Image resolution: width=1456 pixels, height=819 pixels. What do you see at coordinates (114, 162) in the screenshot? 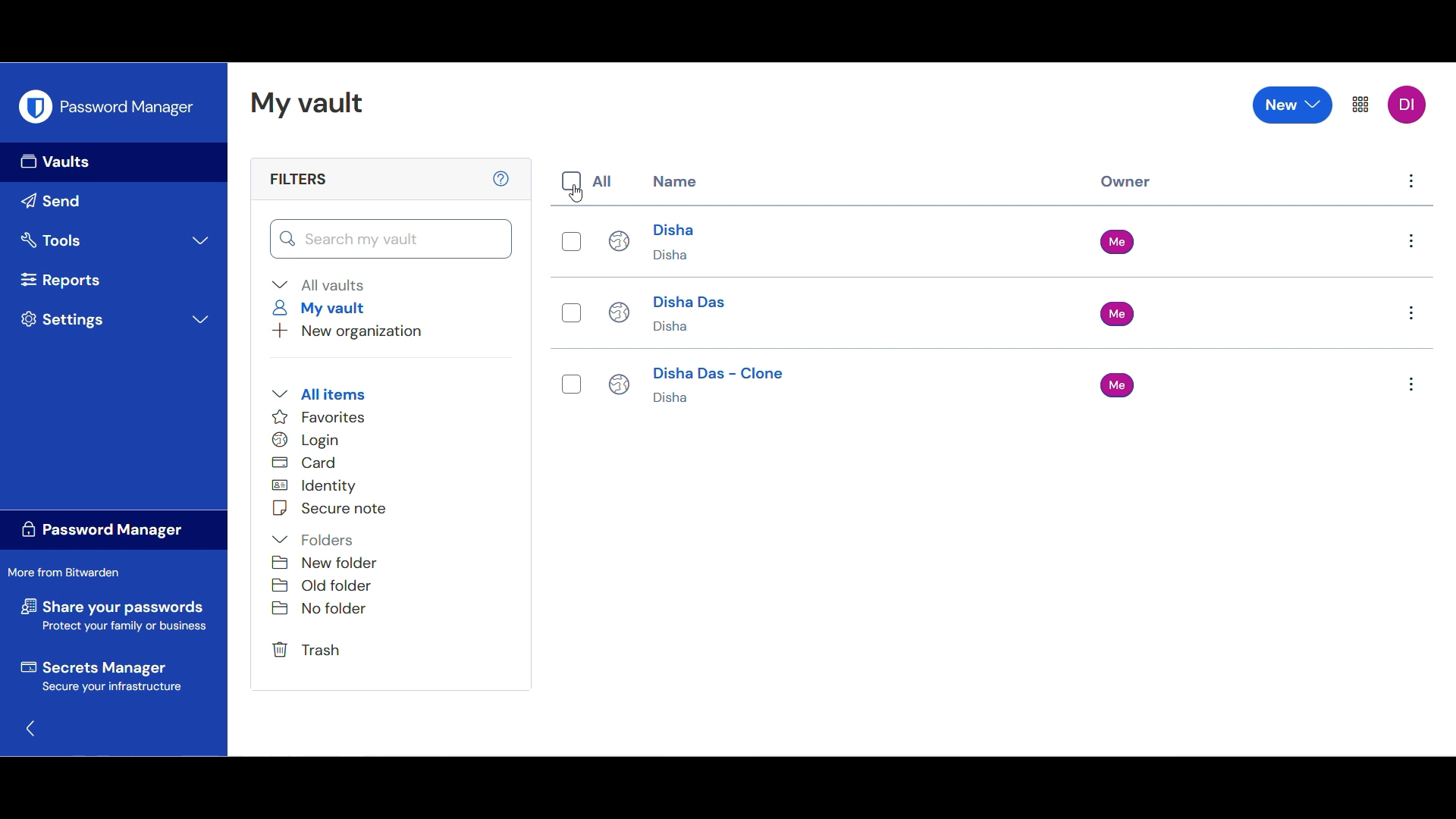
I see `Vaults` at bounding box center [114, 162].